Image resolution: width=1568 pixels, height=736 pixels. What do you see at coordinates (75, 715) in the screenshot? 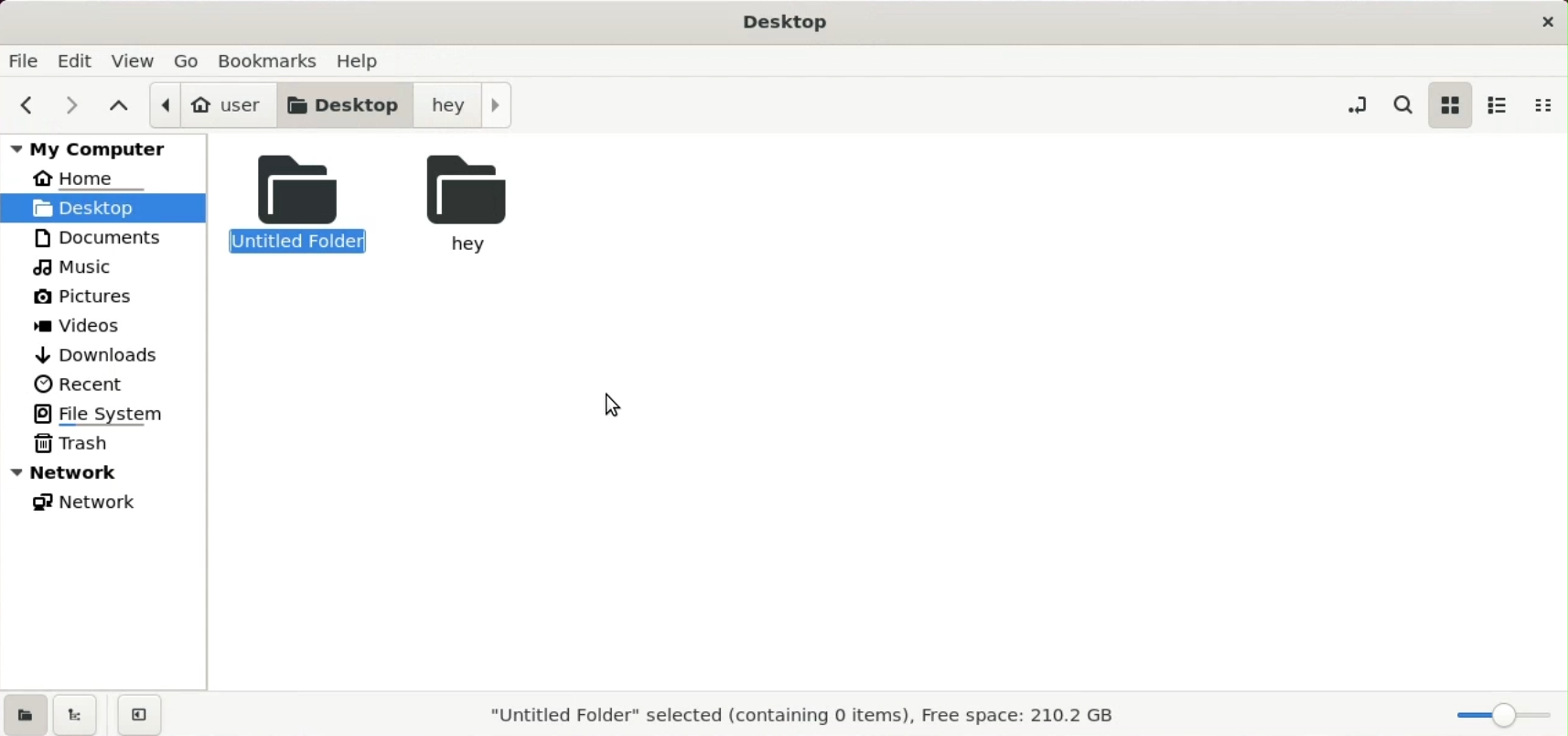
I see `show treeview` at bounding box center [75, 715].